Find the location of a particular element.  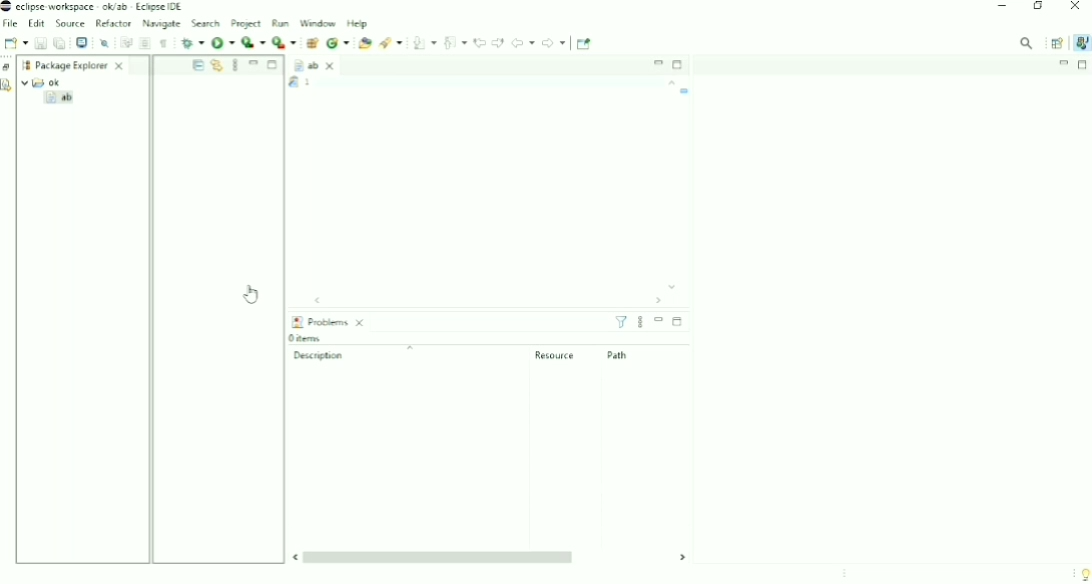

ab is located at coordinates (58, 98).